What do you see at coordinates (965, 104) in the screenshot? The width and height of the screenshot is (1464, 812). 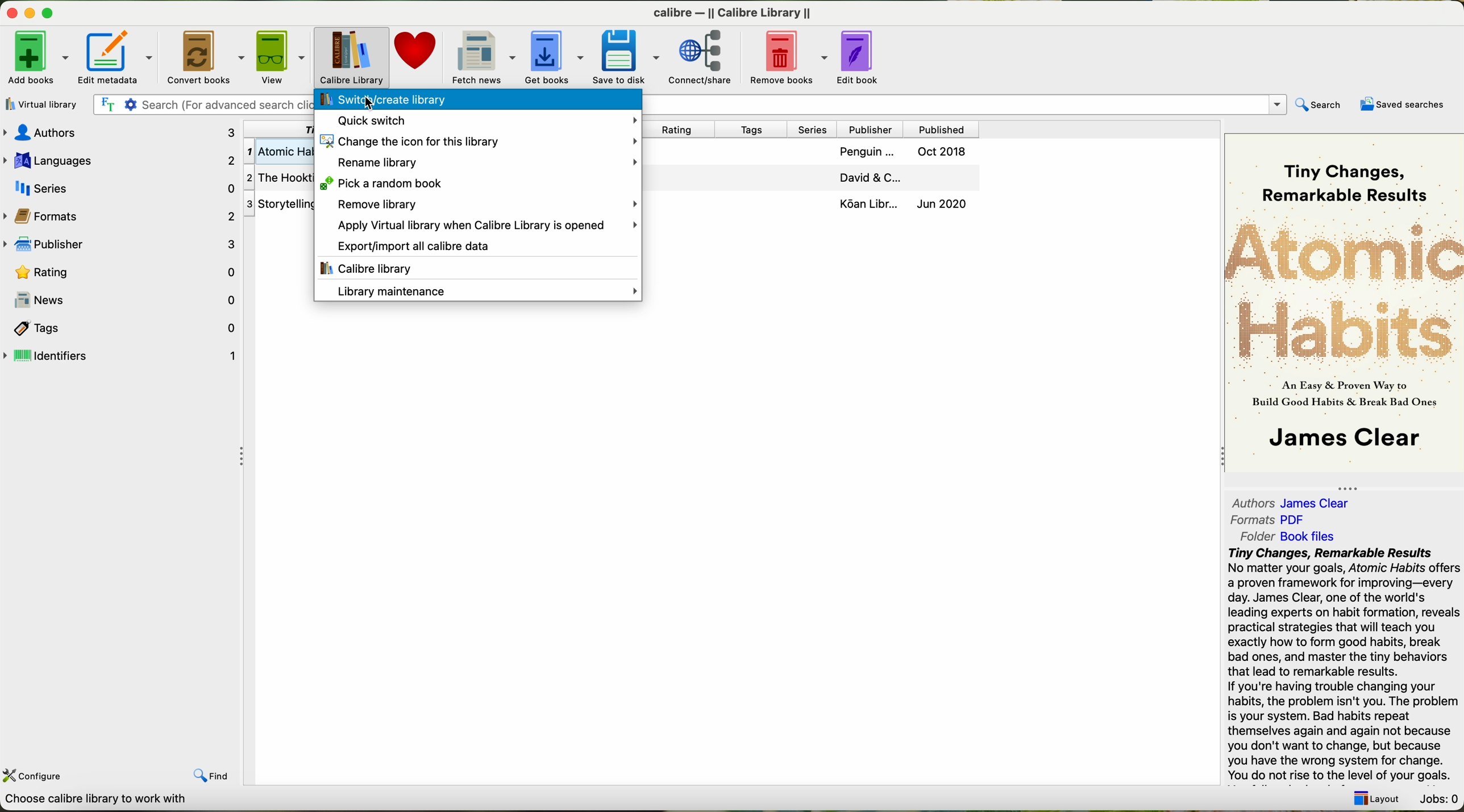 I see `drop down` at bounding box center [965, 104].